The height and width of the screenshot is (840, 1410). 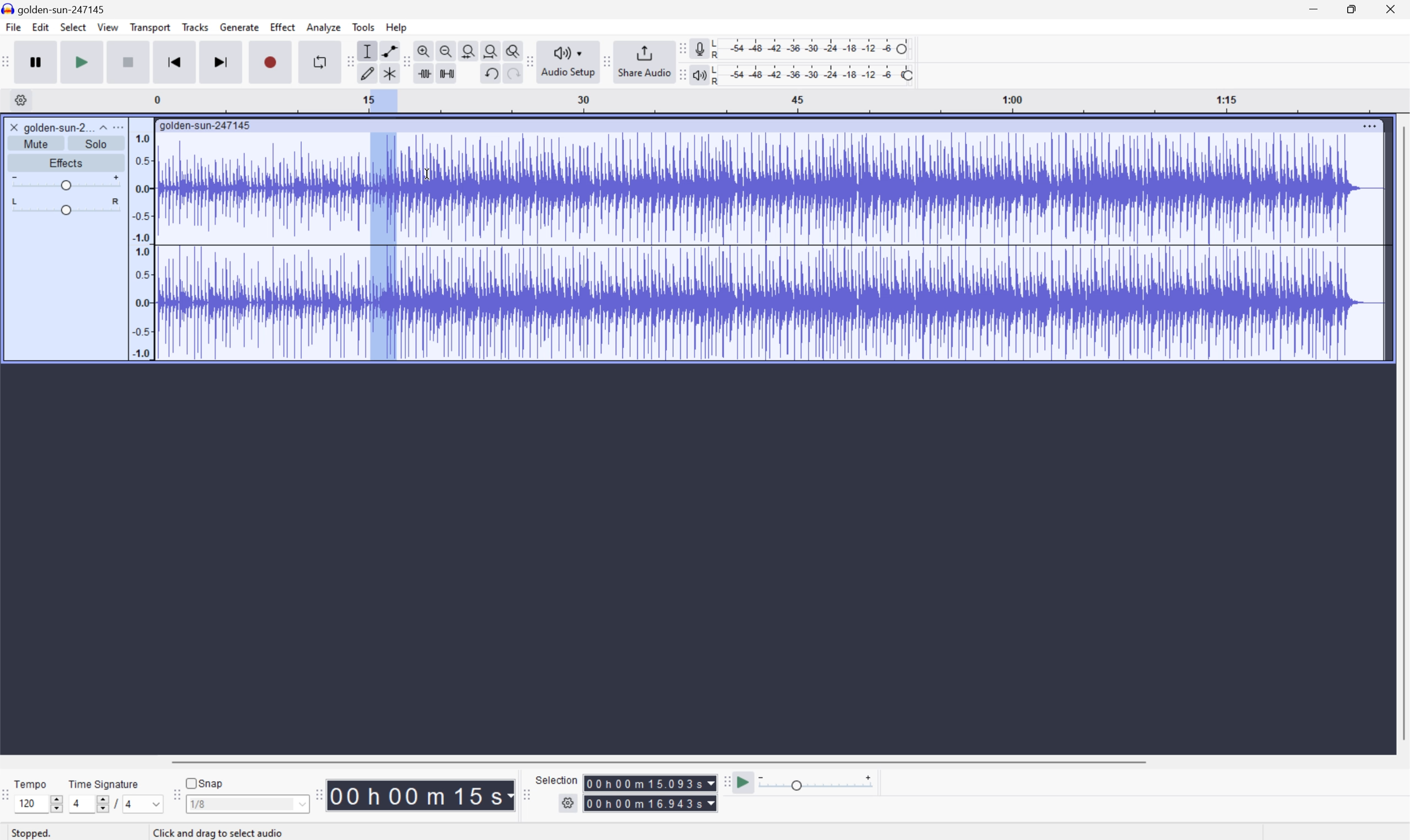 I want to click on Audacity Edit toolbar, so click(x=347, y=62).